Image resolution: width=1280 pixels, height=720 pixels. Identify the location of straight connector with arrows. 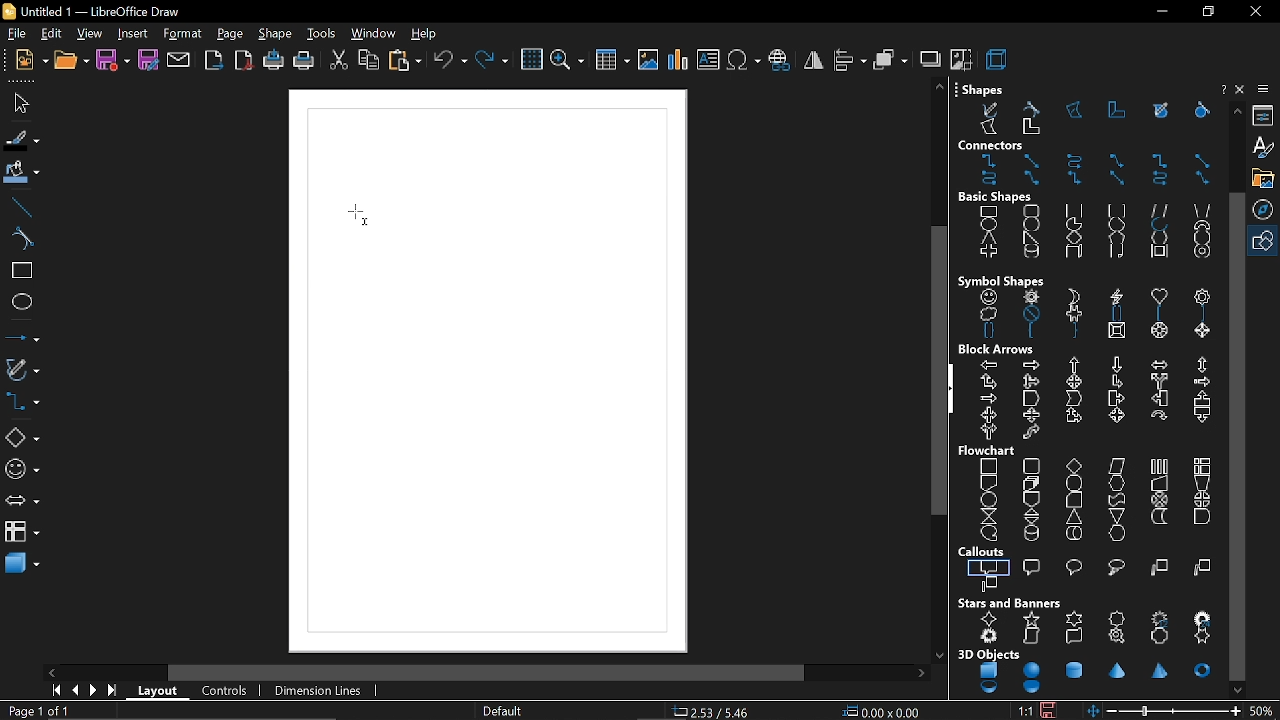
(1119, 180).